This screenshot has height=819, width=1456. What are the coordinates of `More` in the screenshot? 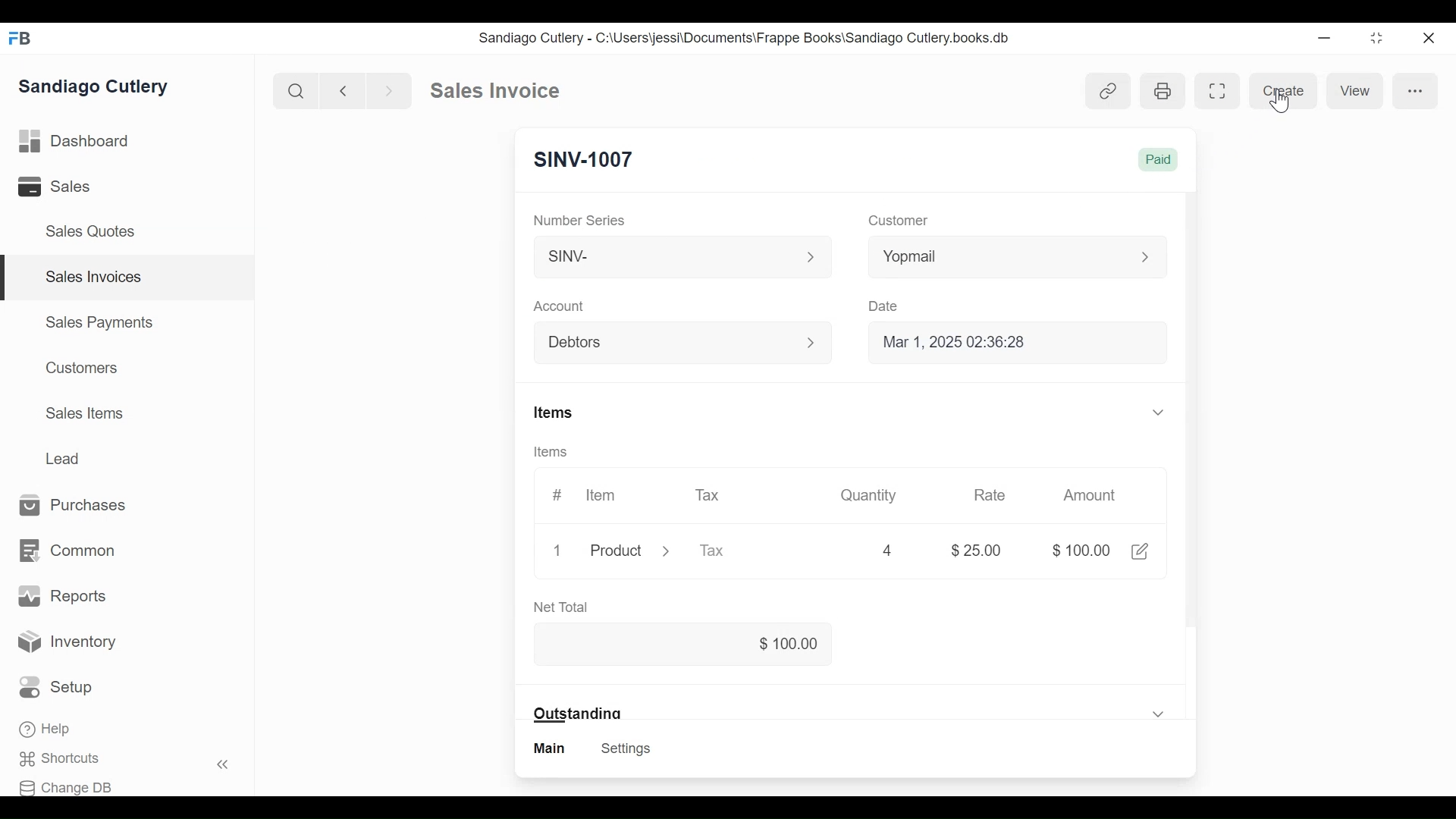 It's located at (1418, 91).